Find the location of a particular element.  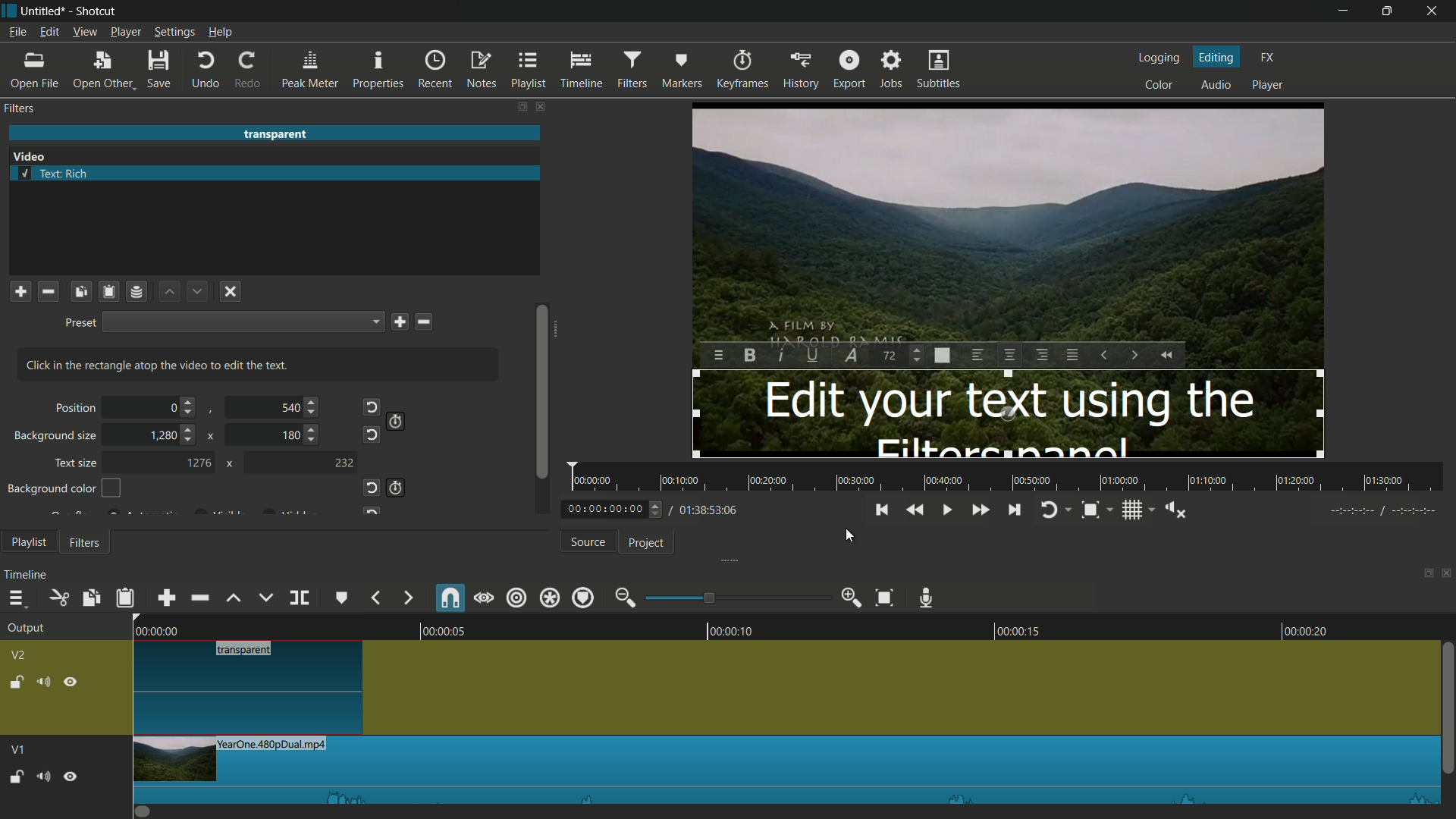

redo is located at coordinates (249, 70).